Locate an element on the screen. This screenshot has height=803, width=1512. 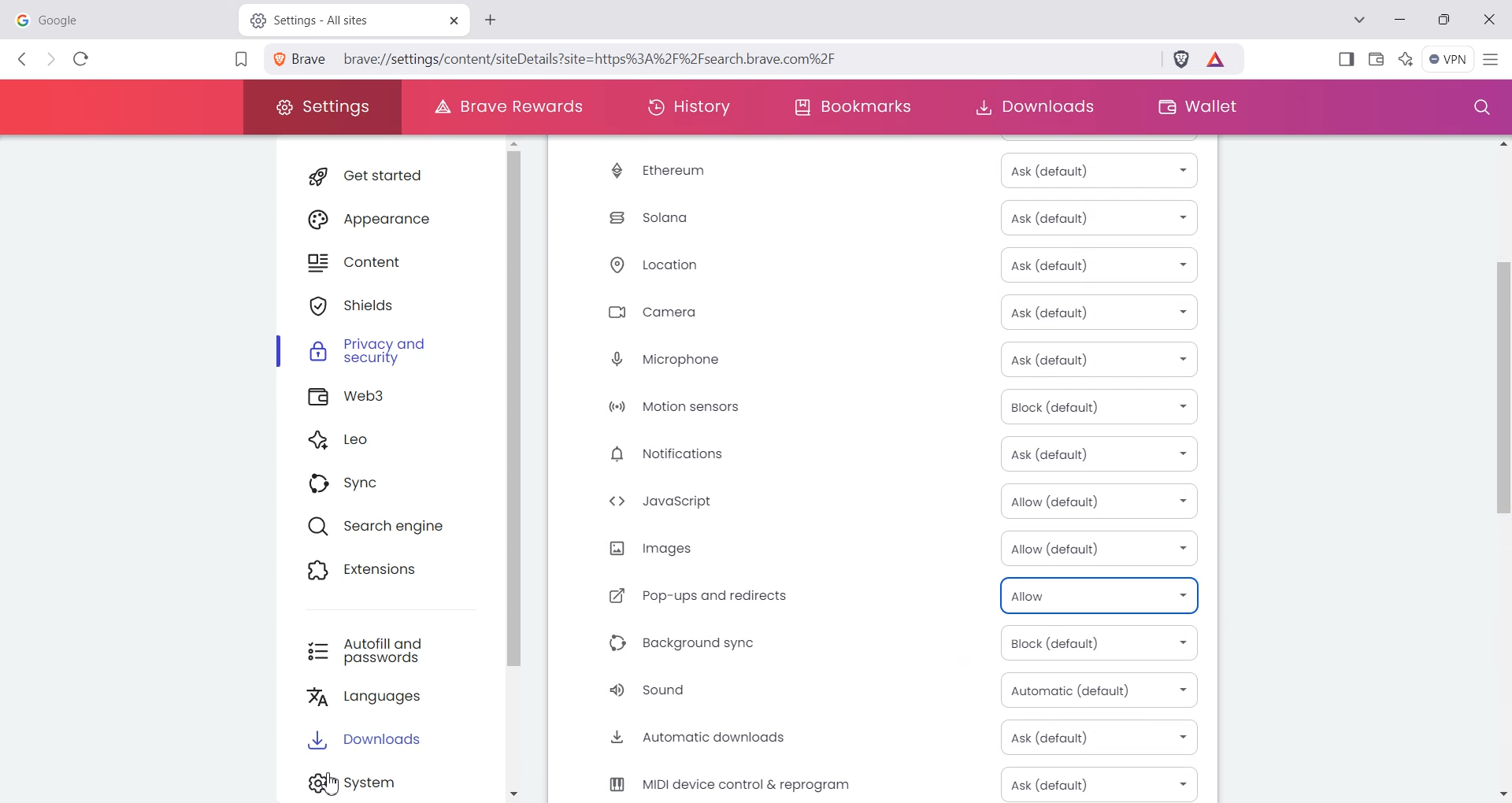
Camera Ask (Default) is located at coordinates (884, 313).